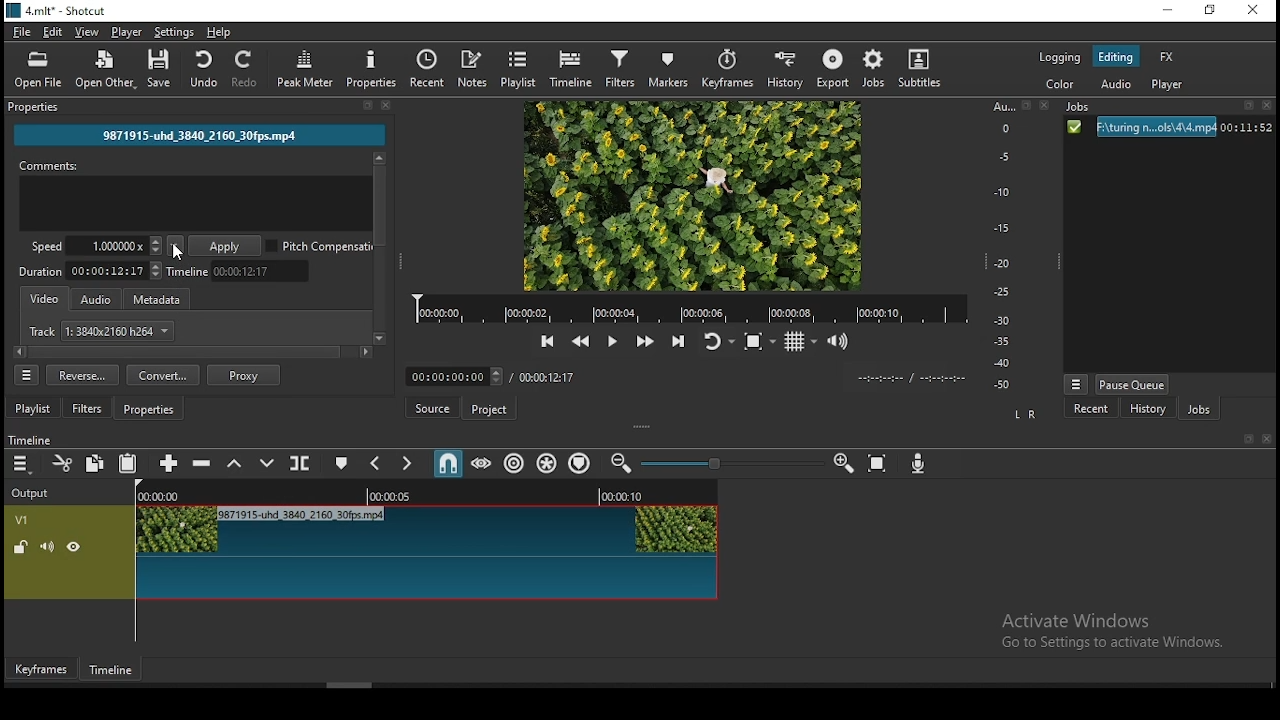 The height and width of the screenshot is (720, 1280). I want to click on scroll bar, so click(465, 685).